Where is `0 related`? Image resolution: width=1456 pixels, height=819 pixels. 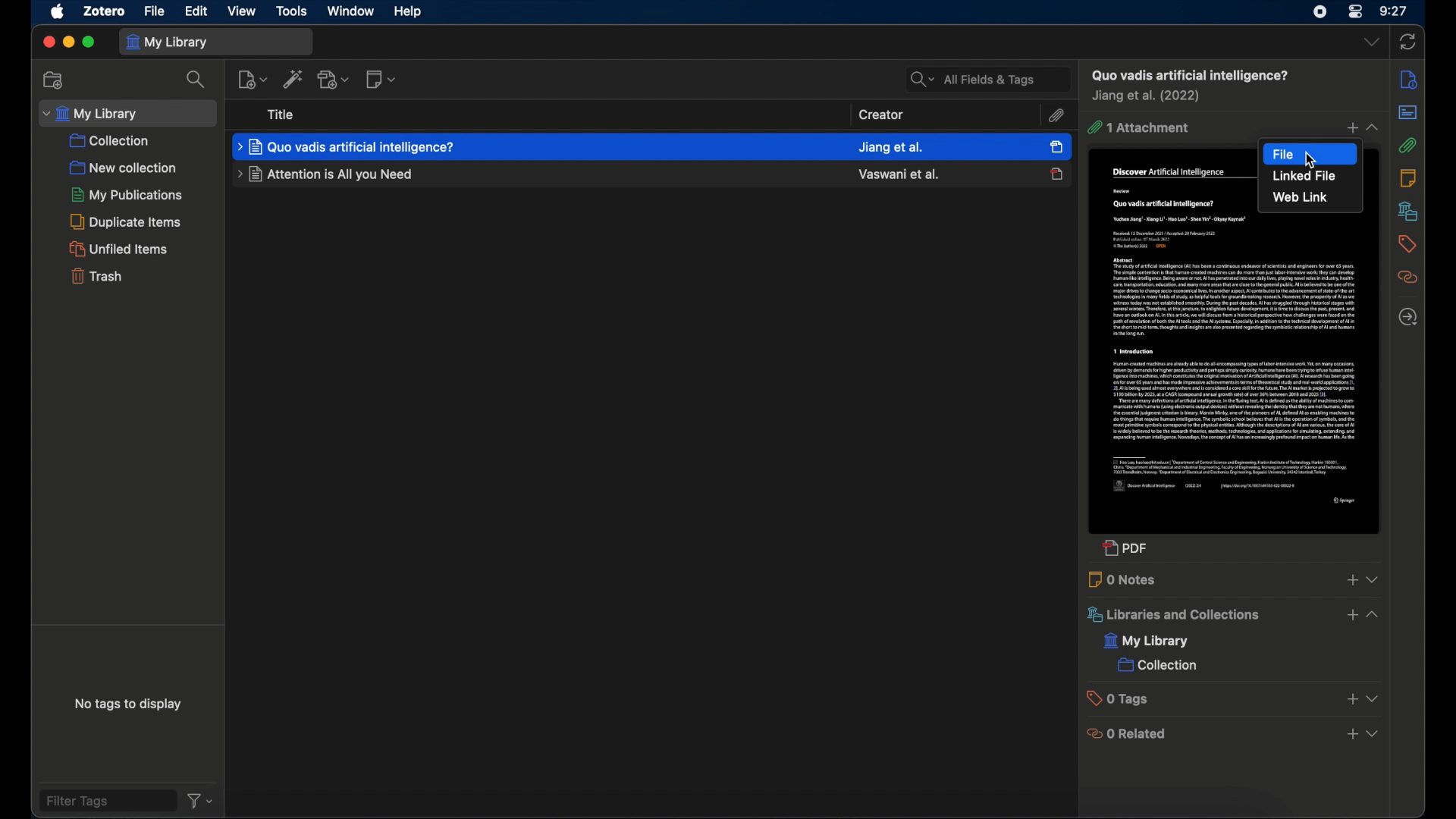 0 related is located at coordinates (1128, 733).